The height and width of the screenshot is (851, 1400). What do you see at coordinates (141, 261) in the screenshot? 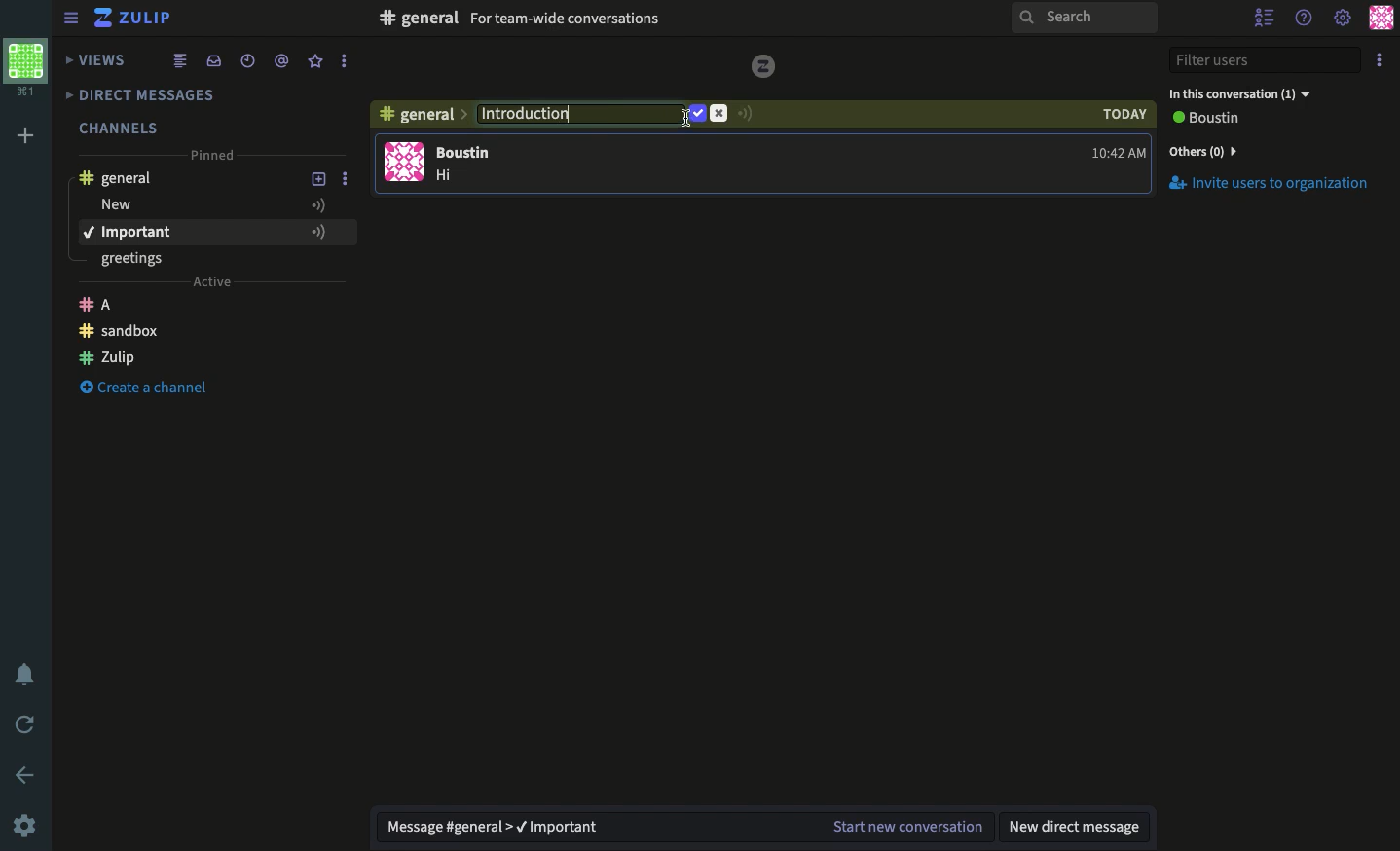
I see `greetings - topic` at bounding box center [141, 261].